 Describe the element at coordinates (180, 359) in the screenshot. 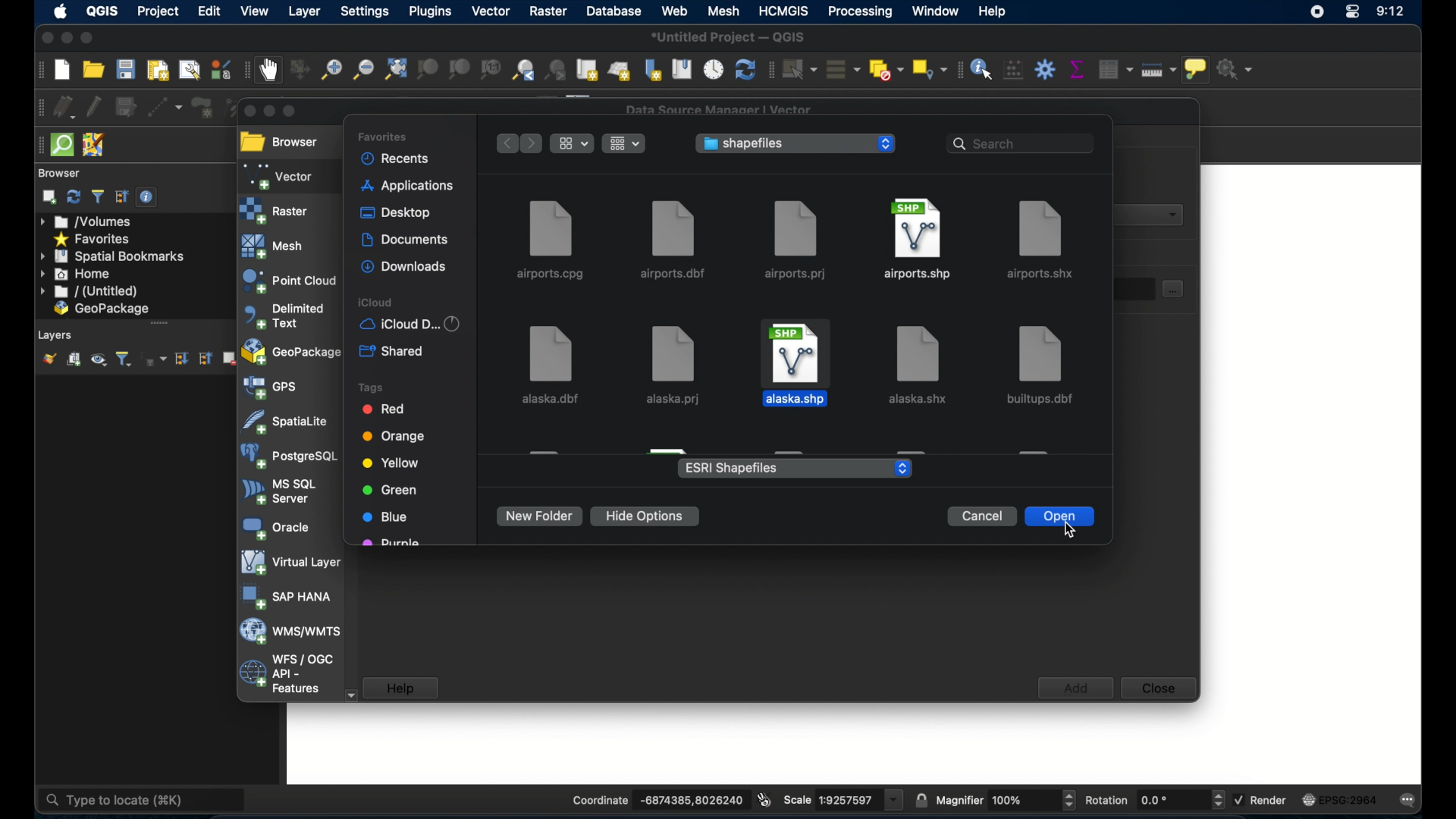

I see `expand all` at that location.